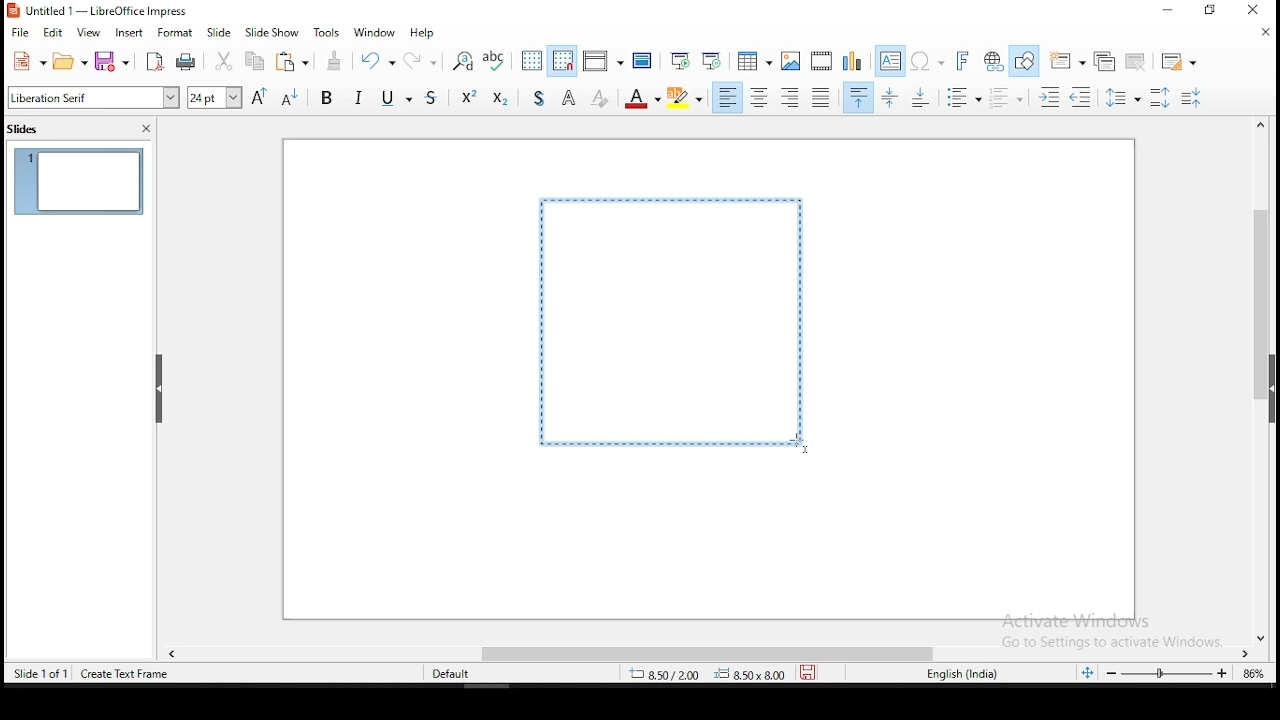 The height and width of the screenshot is (720, 1280). I want to click on justified, so click(822, 98).